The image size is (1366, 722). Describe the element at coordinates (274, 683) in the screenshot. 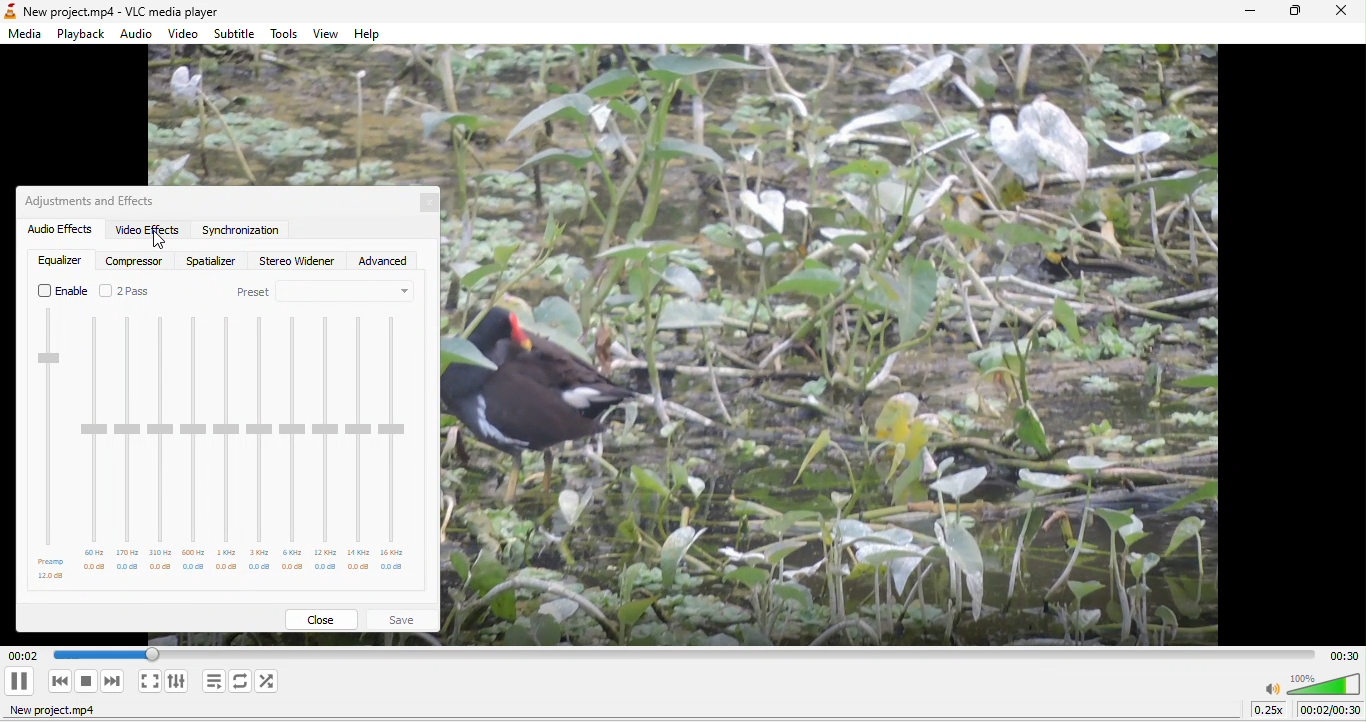

I see `random` at that location.